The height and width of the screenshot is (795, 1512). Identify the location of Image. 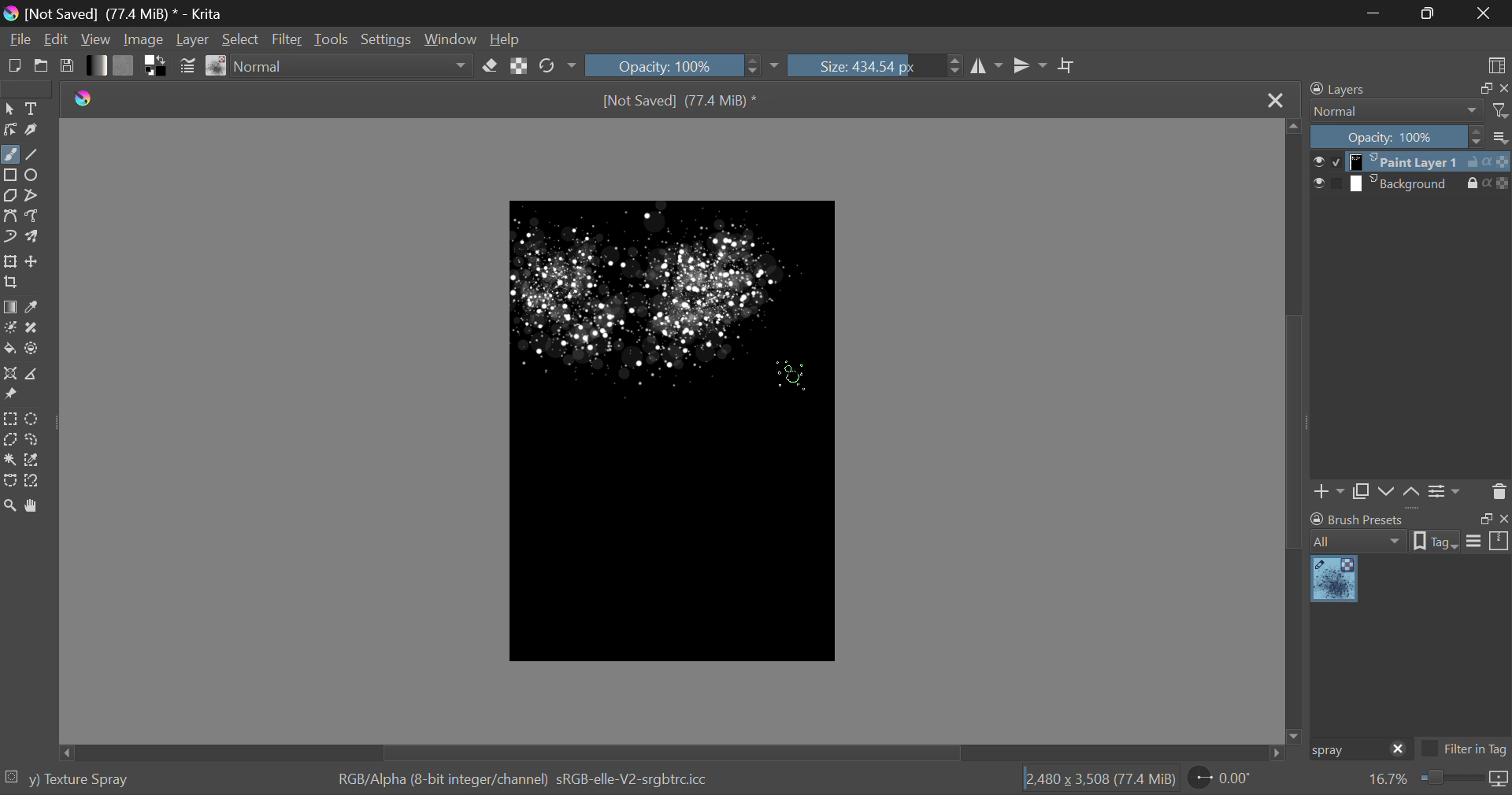
(148, 38).